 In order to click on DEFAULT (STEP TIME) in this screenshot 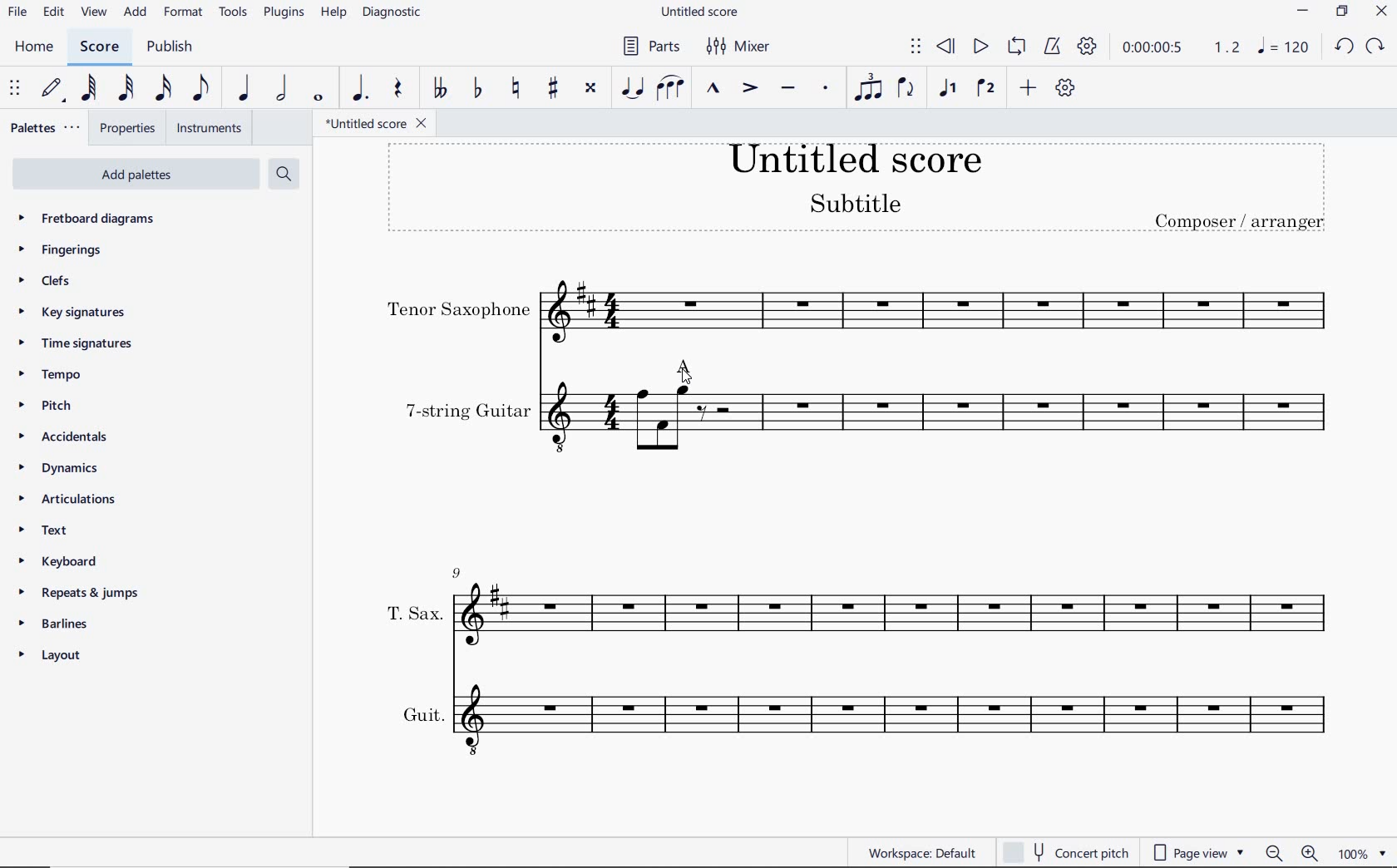, I will do `click(52, 91)`.